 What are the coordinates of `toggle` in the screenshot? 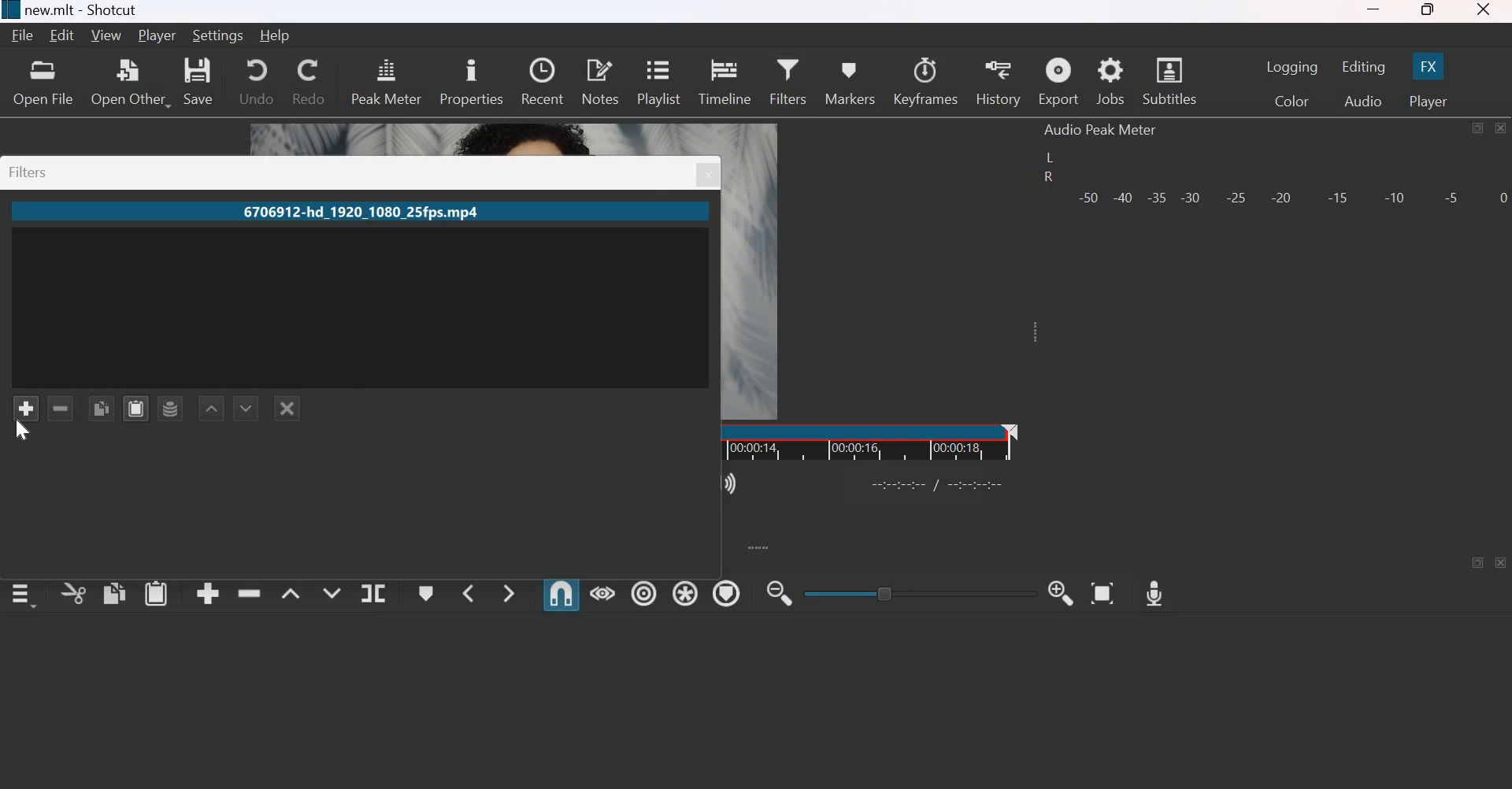 It's located at (922, 591).